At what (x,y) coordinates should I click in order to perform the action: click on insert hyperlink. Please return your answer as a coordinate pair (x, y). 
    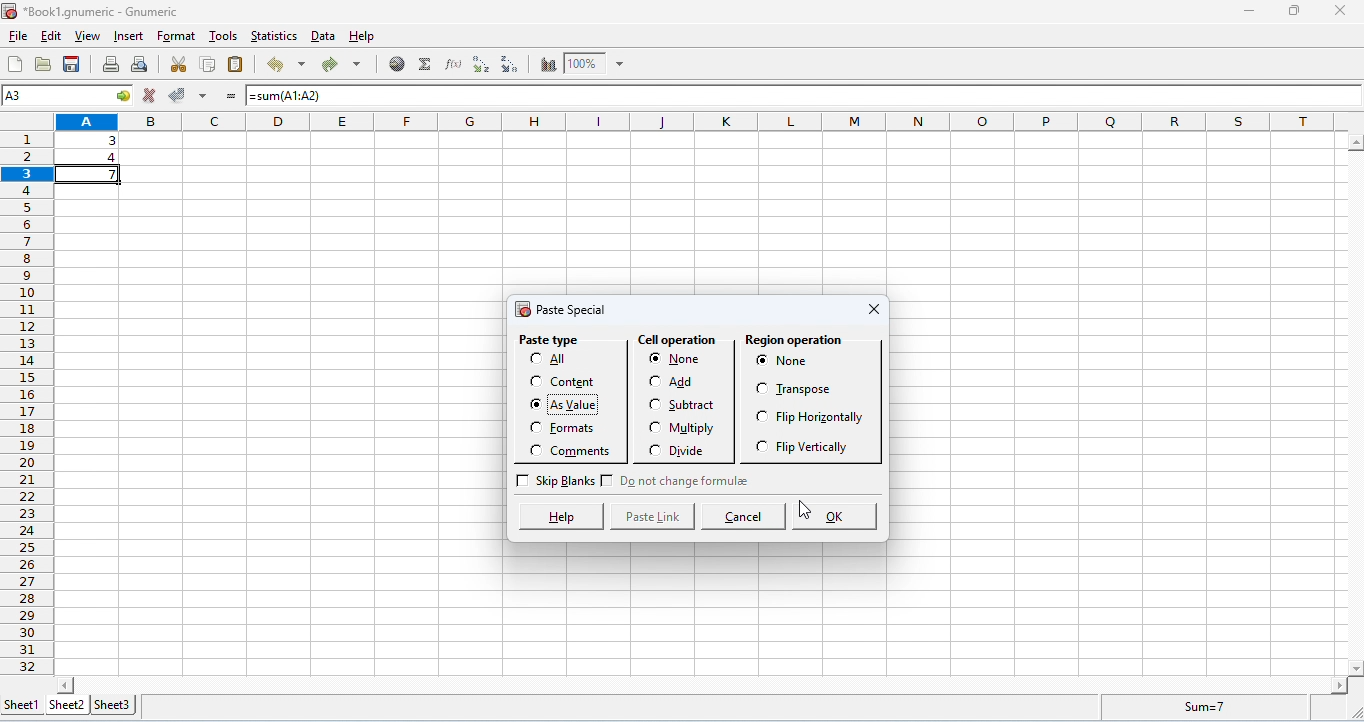
    Looking at the image, I should click on (396, 65).